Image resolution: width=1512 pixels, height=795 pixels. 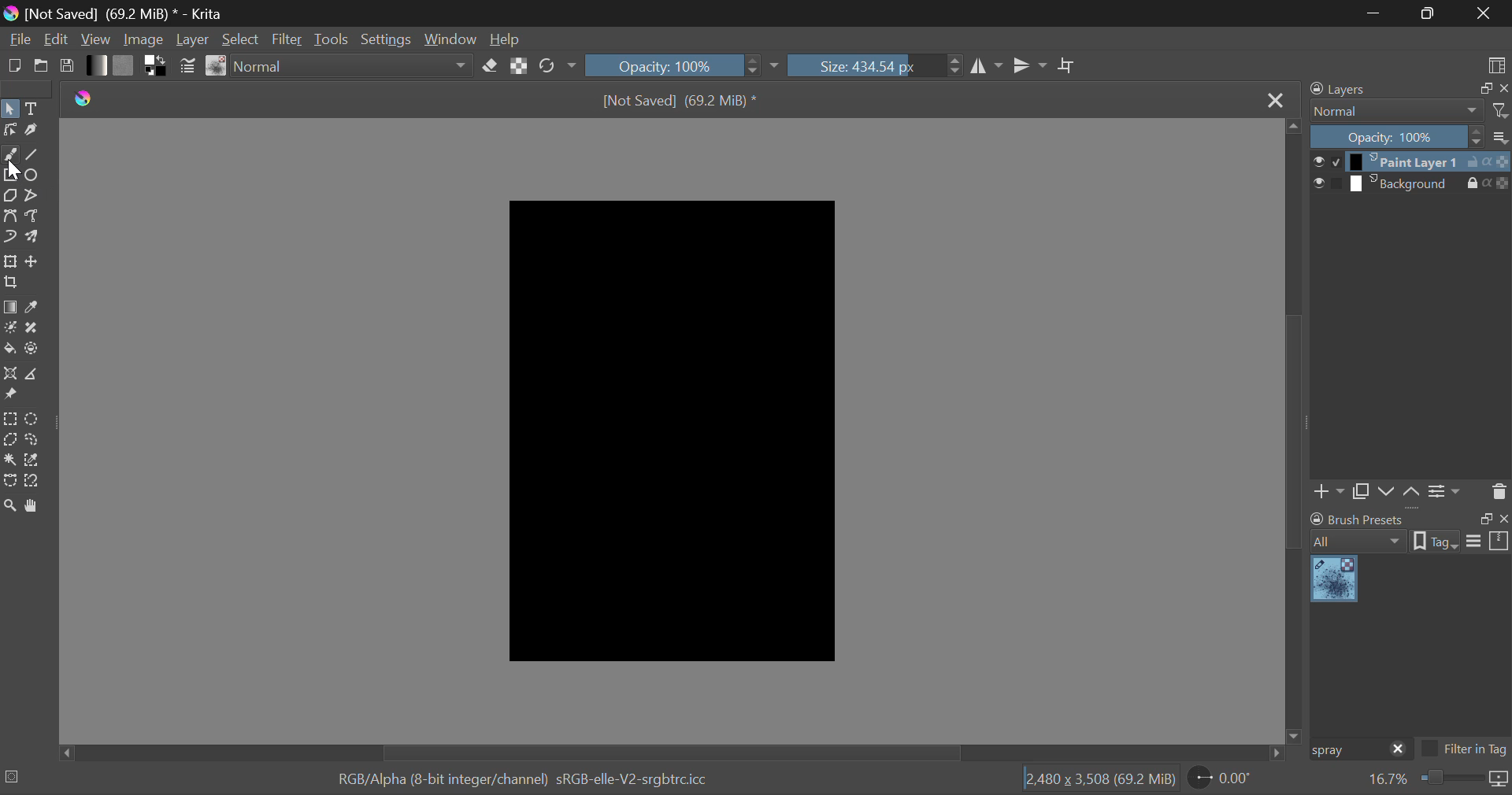 I want to click on Polyline, so click(x=33, y=196).